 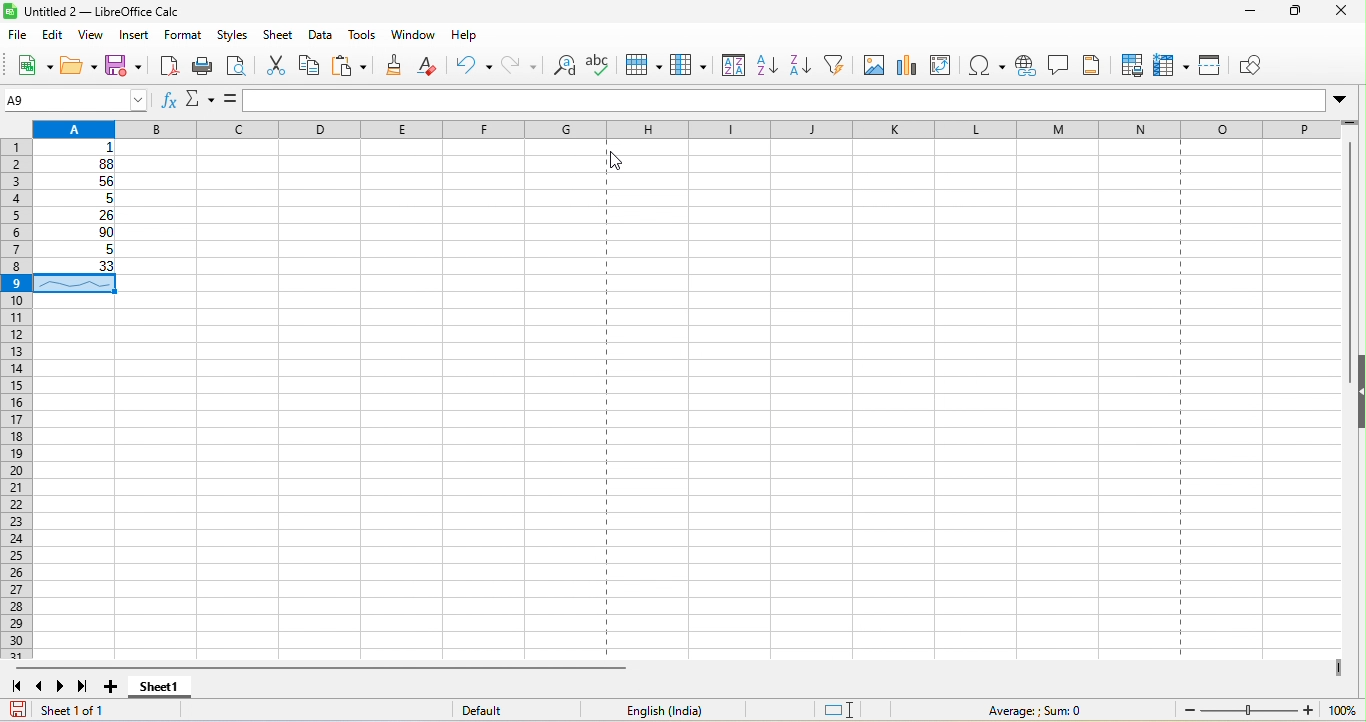 What do you see at coordinates (1130, 65) in the screenshot?
I see `defined print area` at bounding box center [1130, 65].